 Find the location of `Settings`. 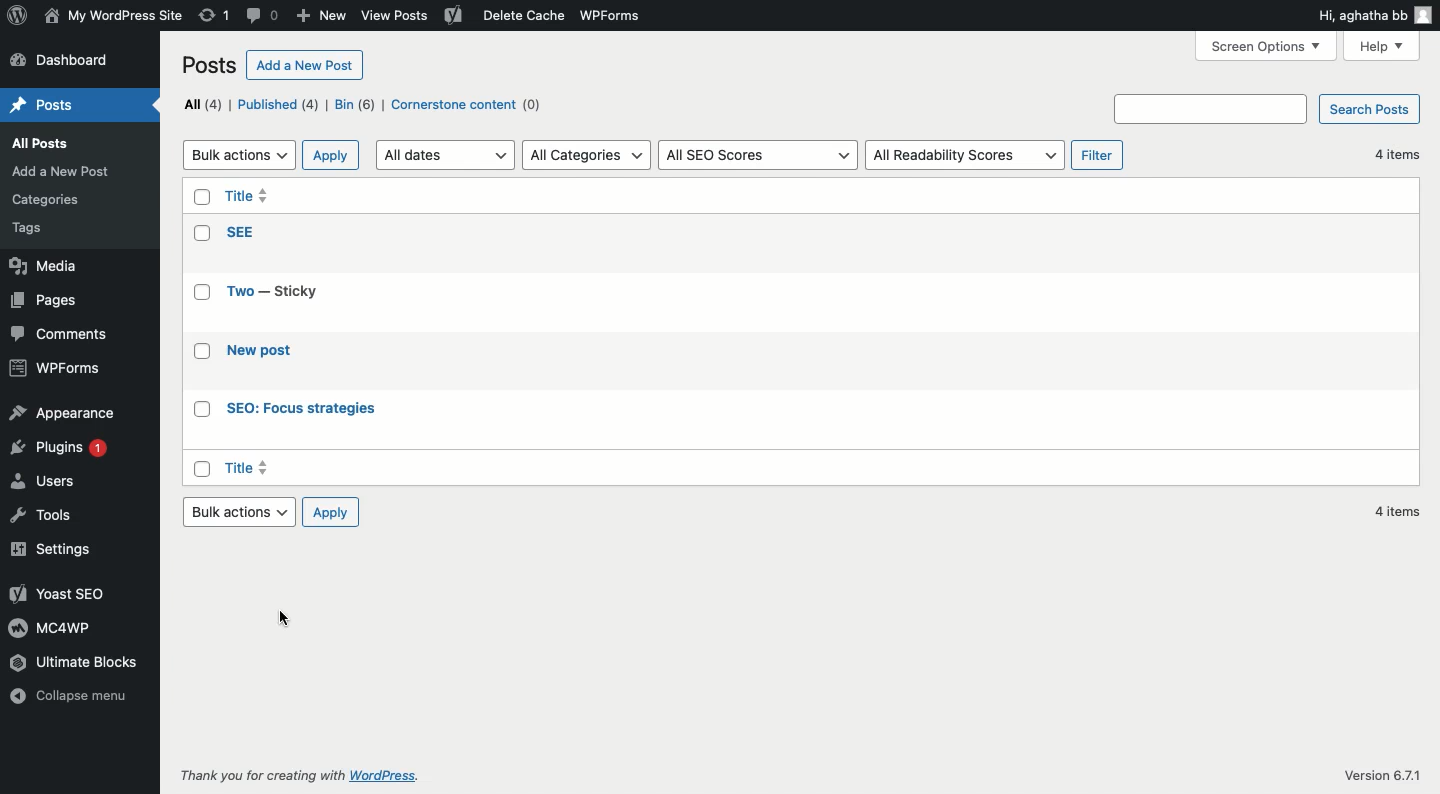

Settings is located at coordinates (61, 548).